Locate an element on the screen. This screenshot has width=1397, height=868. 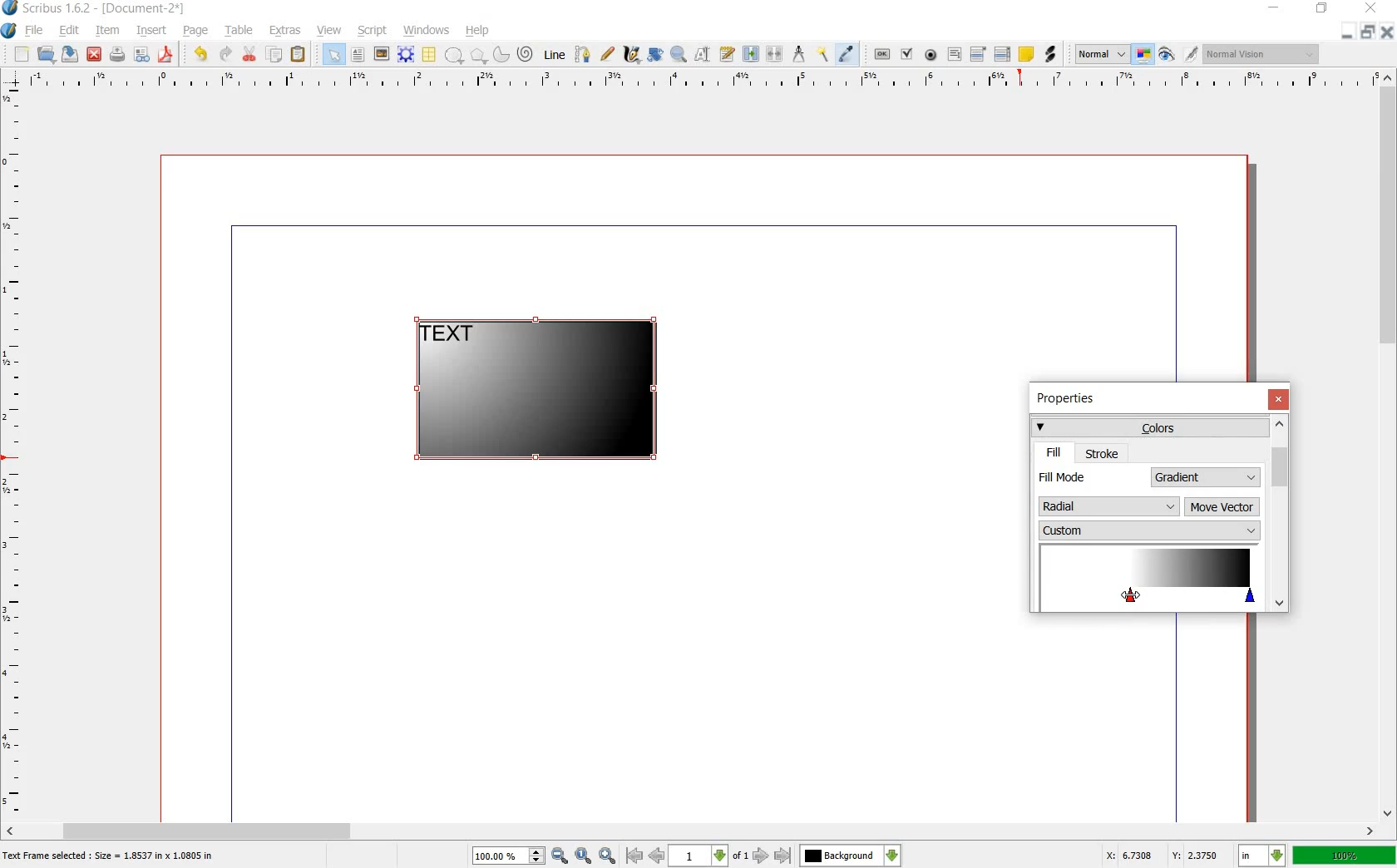
unlink text frame is located at coordinates (776, 55).